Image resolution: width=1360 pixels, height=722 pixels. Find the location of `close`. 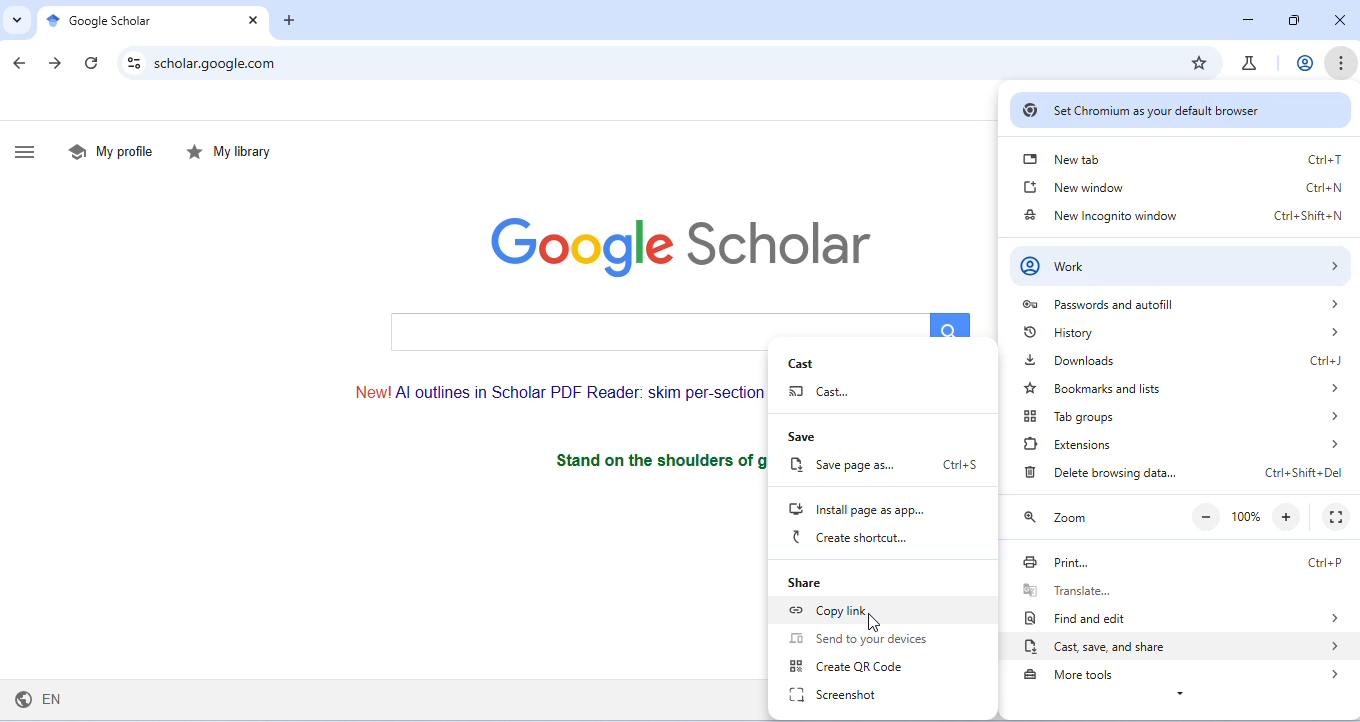

close is located at coordinates (1336, 20).